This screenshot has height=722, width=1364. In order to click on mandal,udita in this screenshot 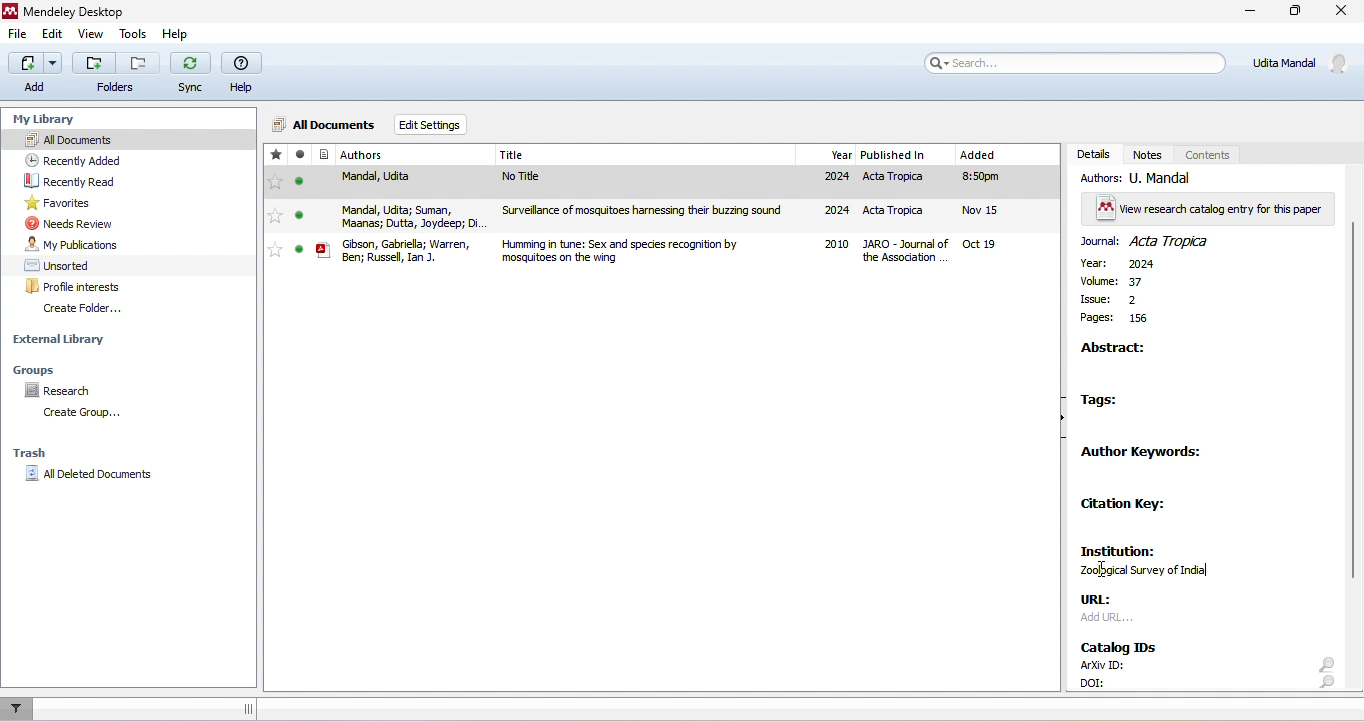, I will do `click(381, 182)`.